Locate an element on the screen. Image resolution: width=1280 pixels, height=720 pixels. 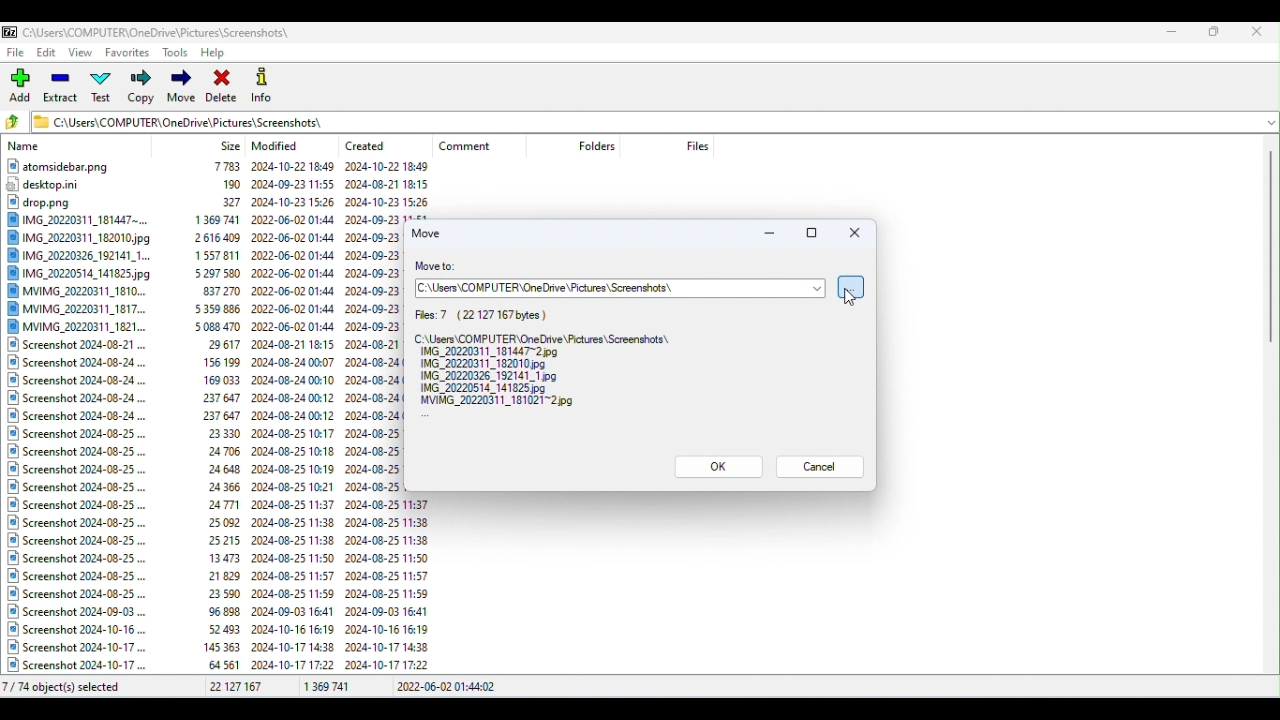
Delete is located at coordinates (223, 85).